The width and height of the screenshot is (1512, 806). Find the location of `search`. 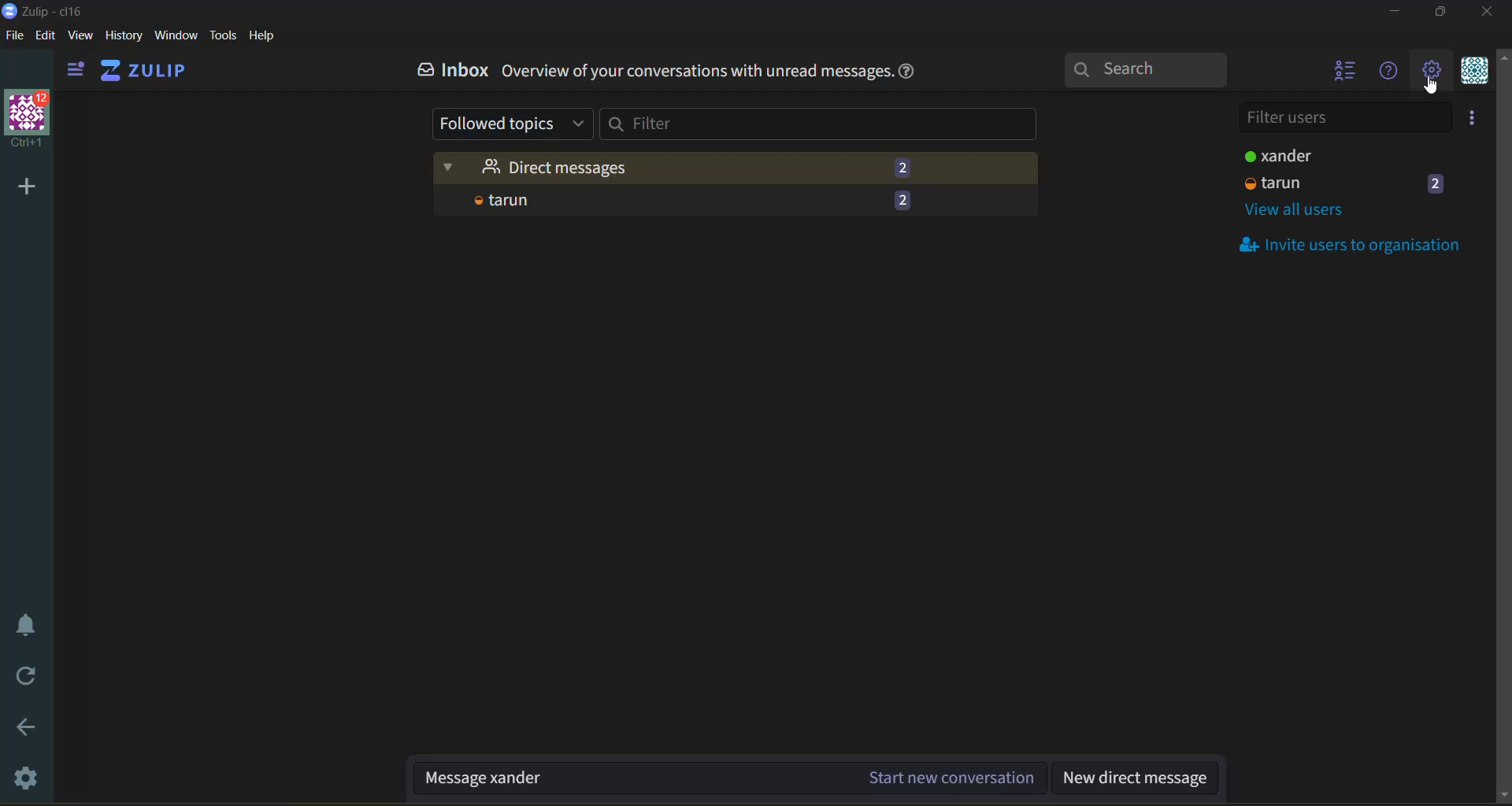

search is located at coordinates (1151, 68).